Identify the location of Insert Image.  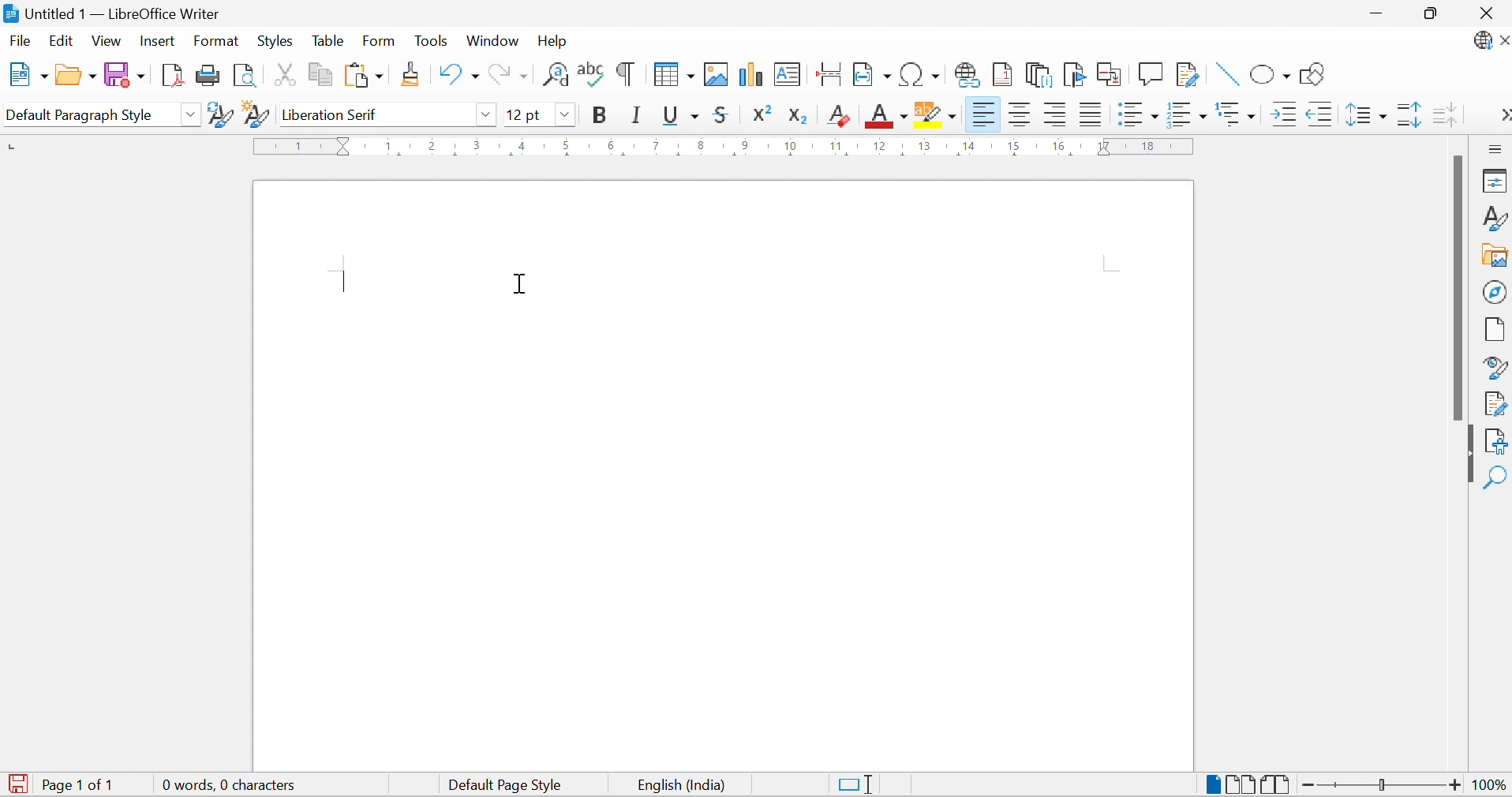
(718, 75).